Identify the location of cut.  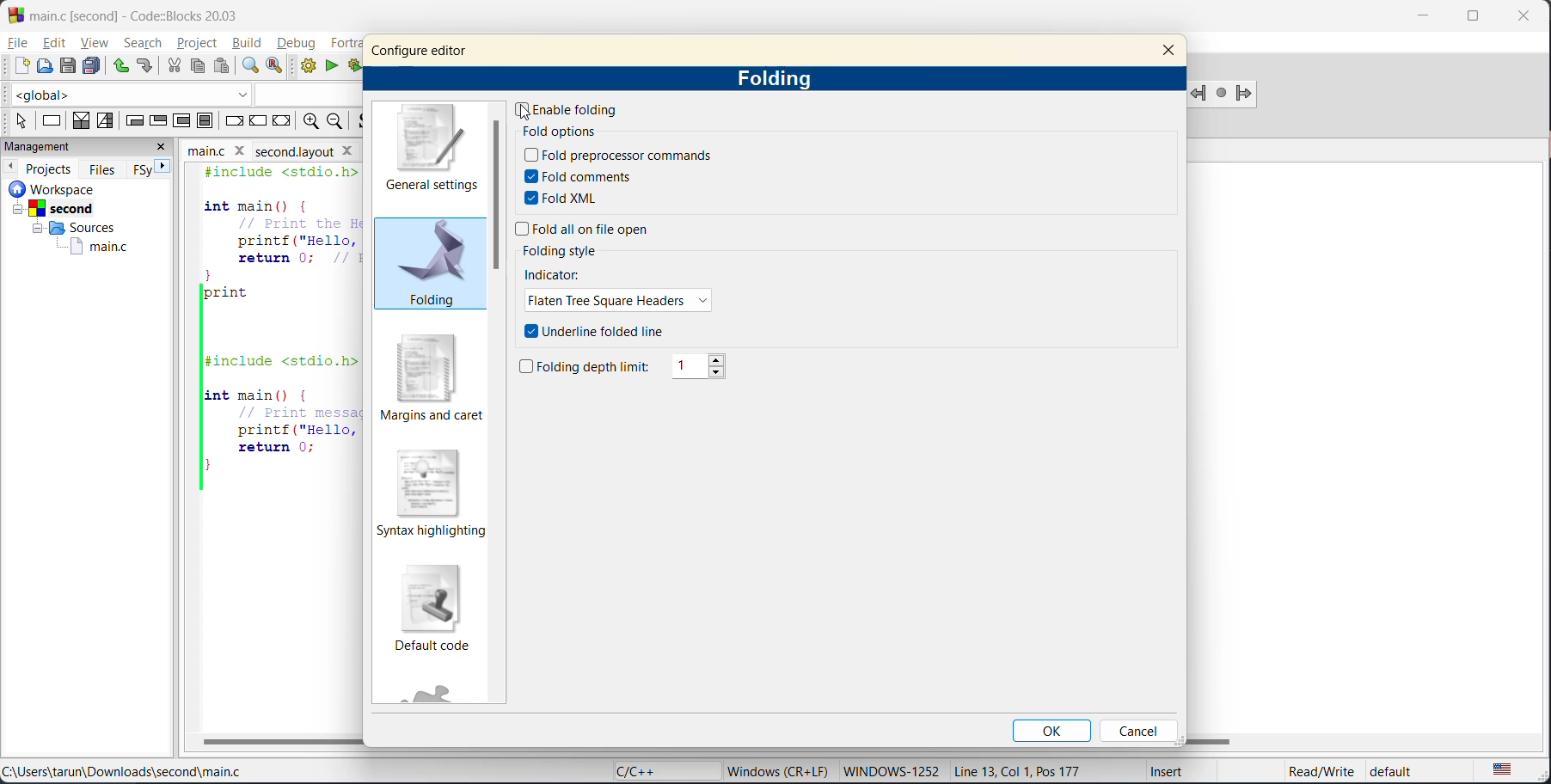
(173, 66).